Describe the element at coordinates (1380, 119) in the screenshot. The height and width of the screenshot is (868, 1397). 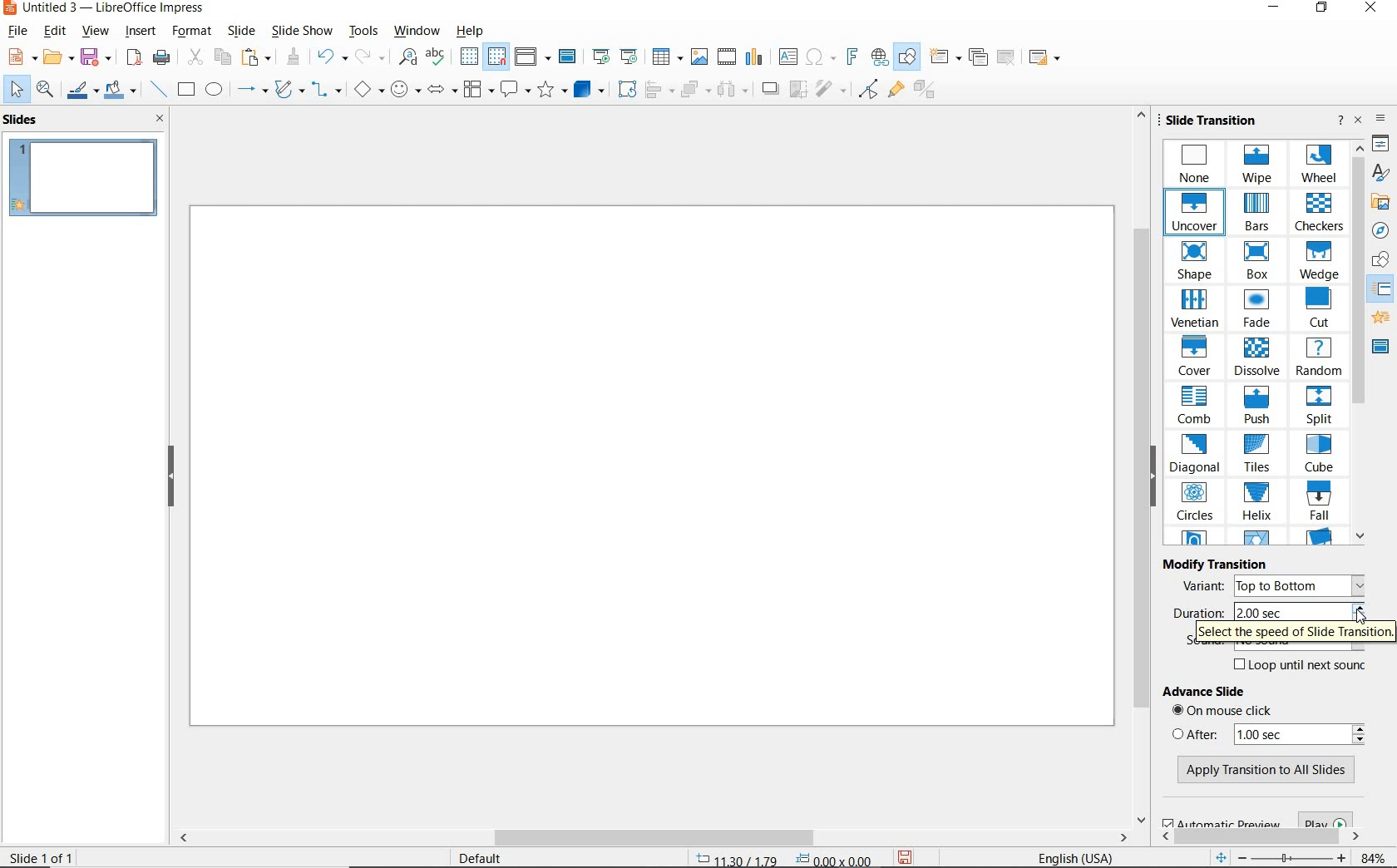
I see `SIDEBAR SETTINGS` at that location.